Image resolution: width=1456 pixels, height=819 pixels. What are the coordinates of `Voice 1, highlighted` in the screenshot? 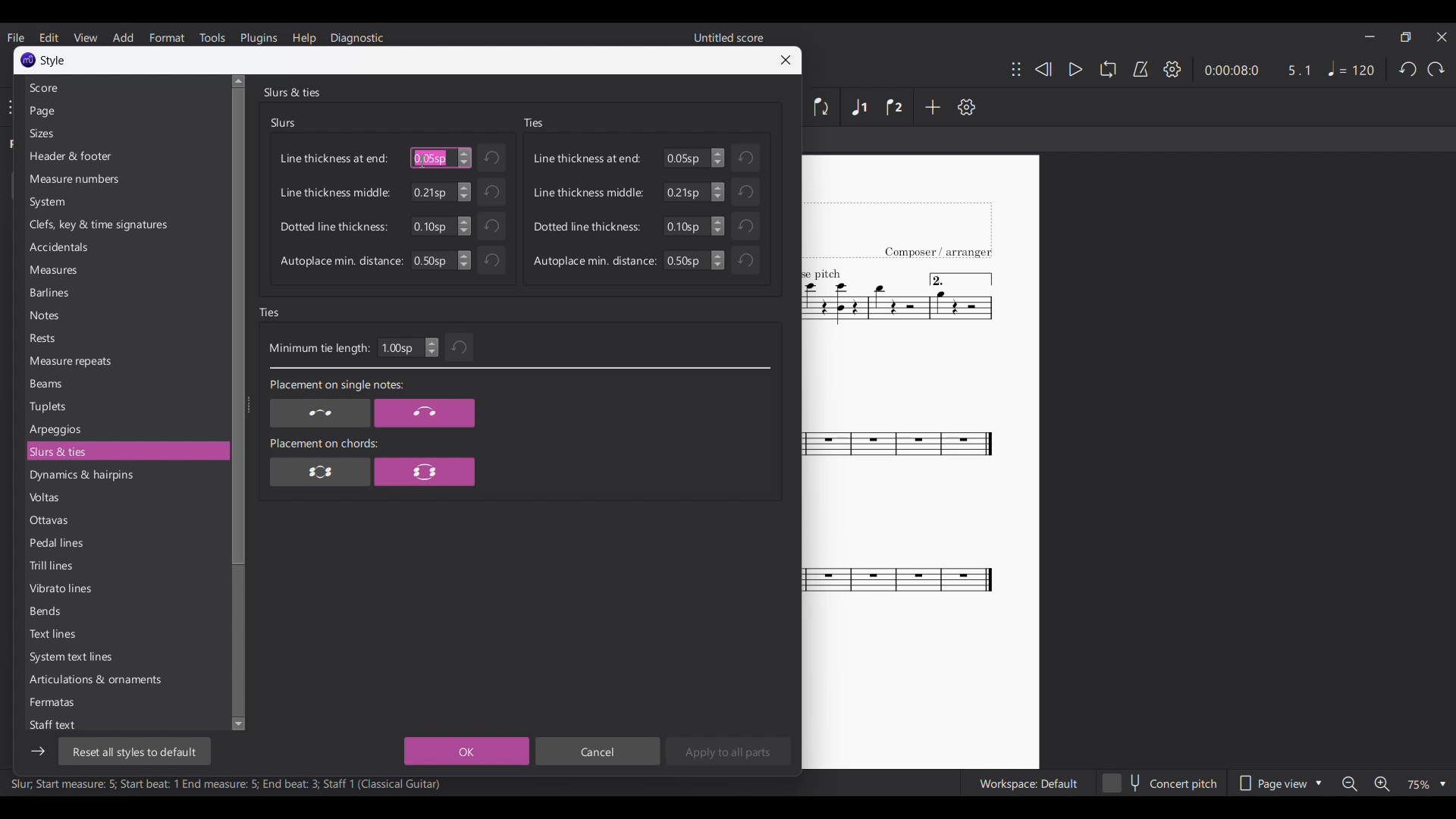 It's located at (860, 108).